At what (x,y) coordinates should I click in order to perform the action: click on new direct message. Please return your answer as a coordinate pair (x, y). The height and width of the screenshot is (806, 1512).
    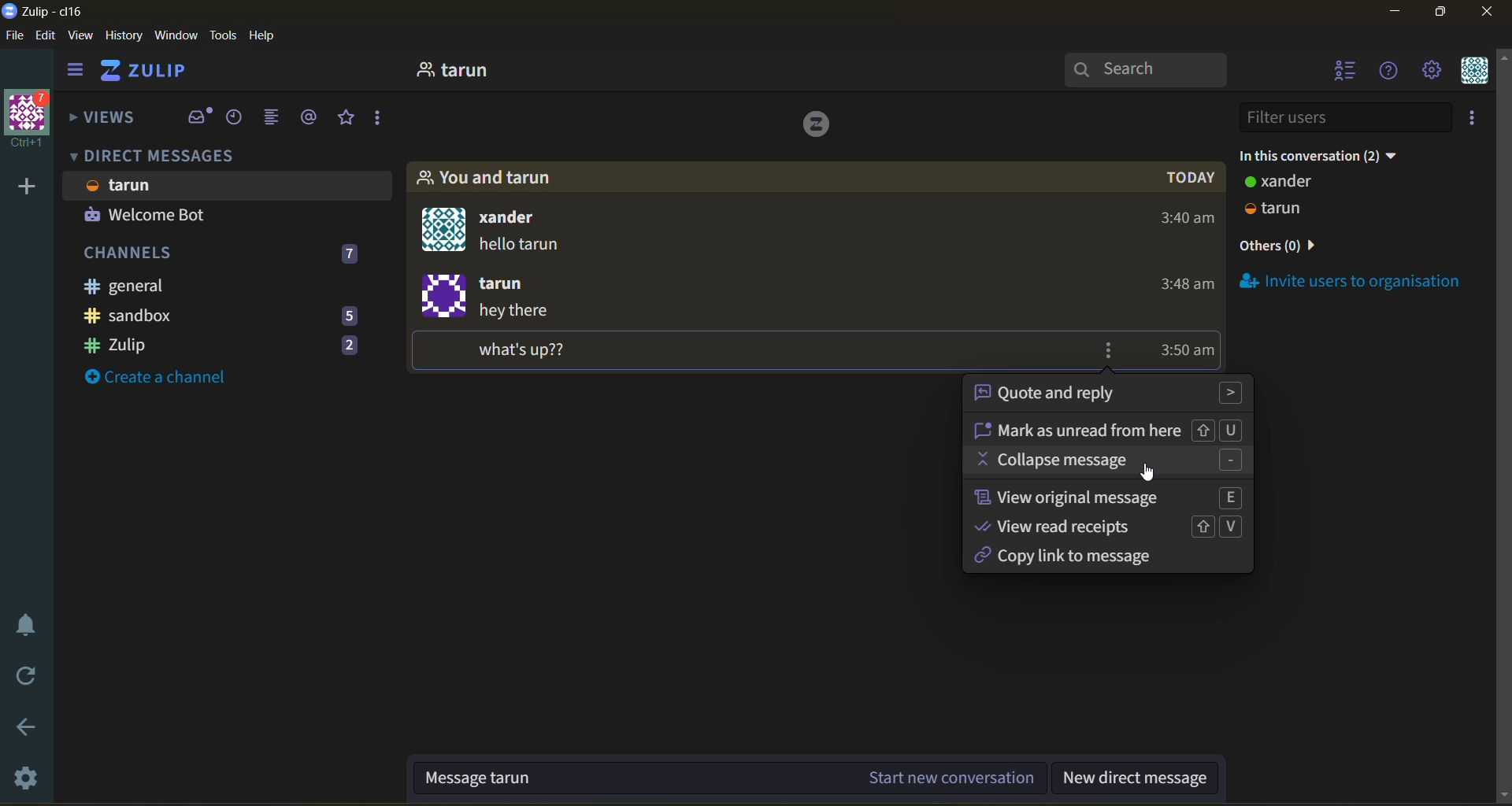
    Looking at the image, I should click on (1143, 779).